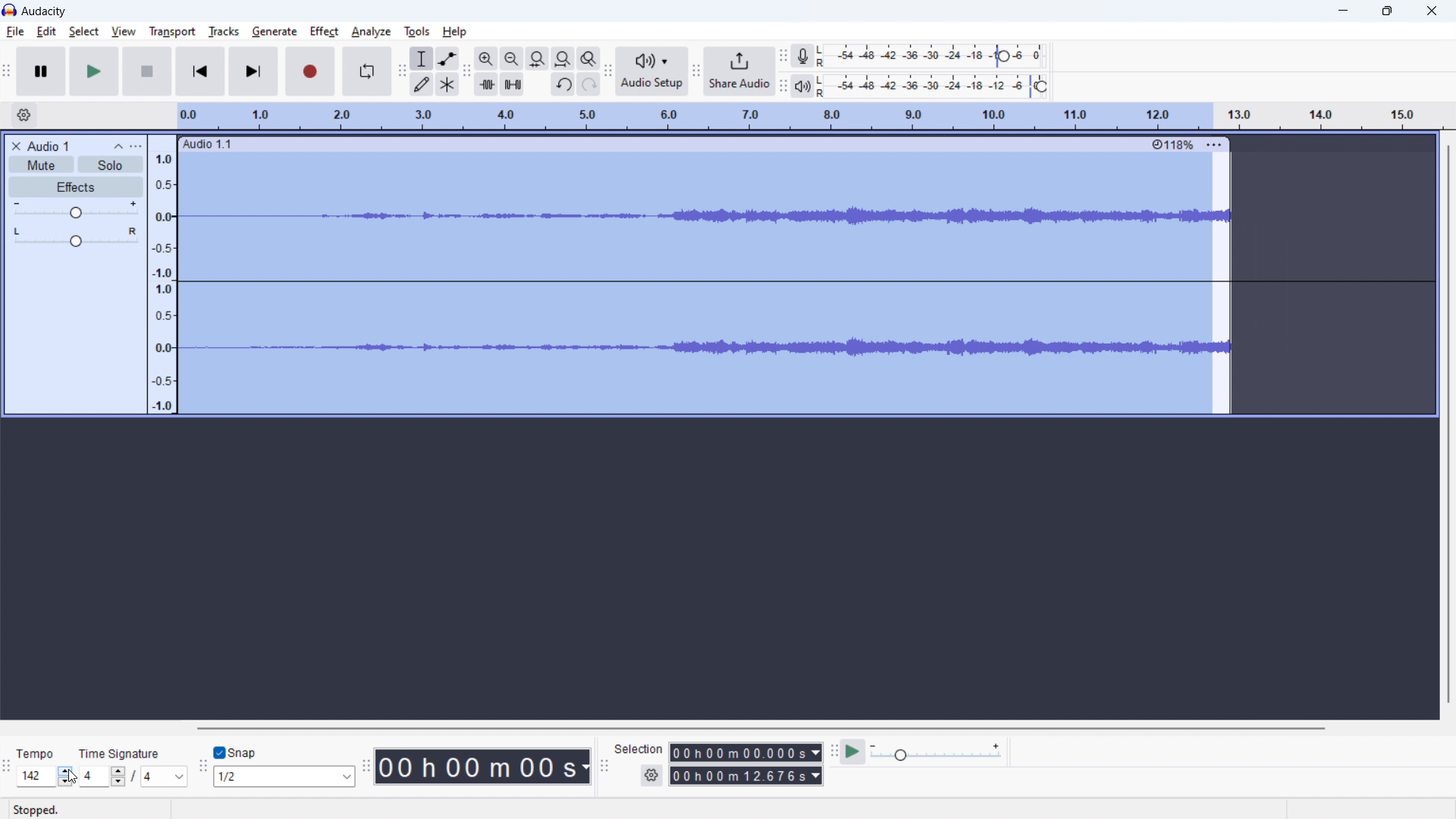 This screenshot has width=1456, height=819. I want to click on recording meter, so click(799, 56).